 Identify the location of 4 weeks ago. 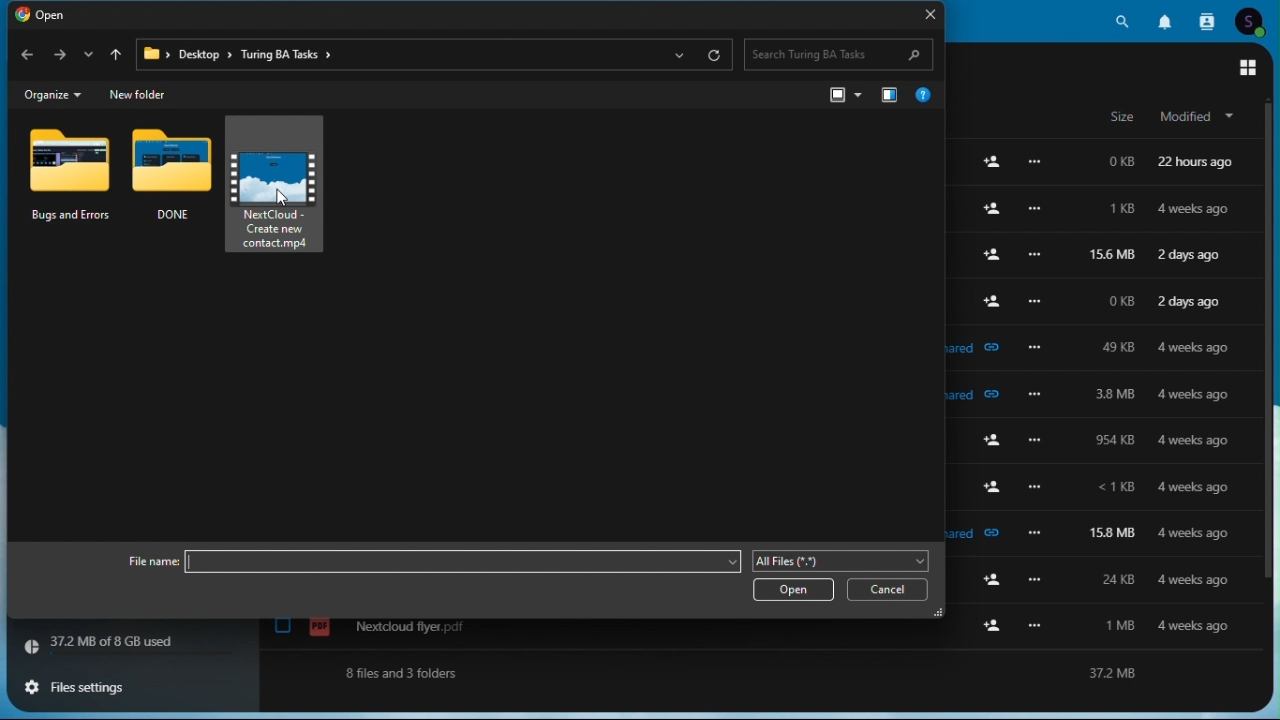
(1194, 489).